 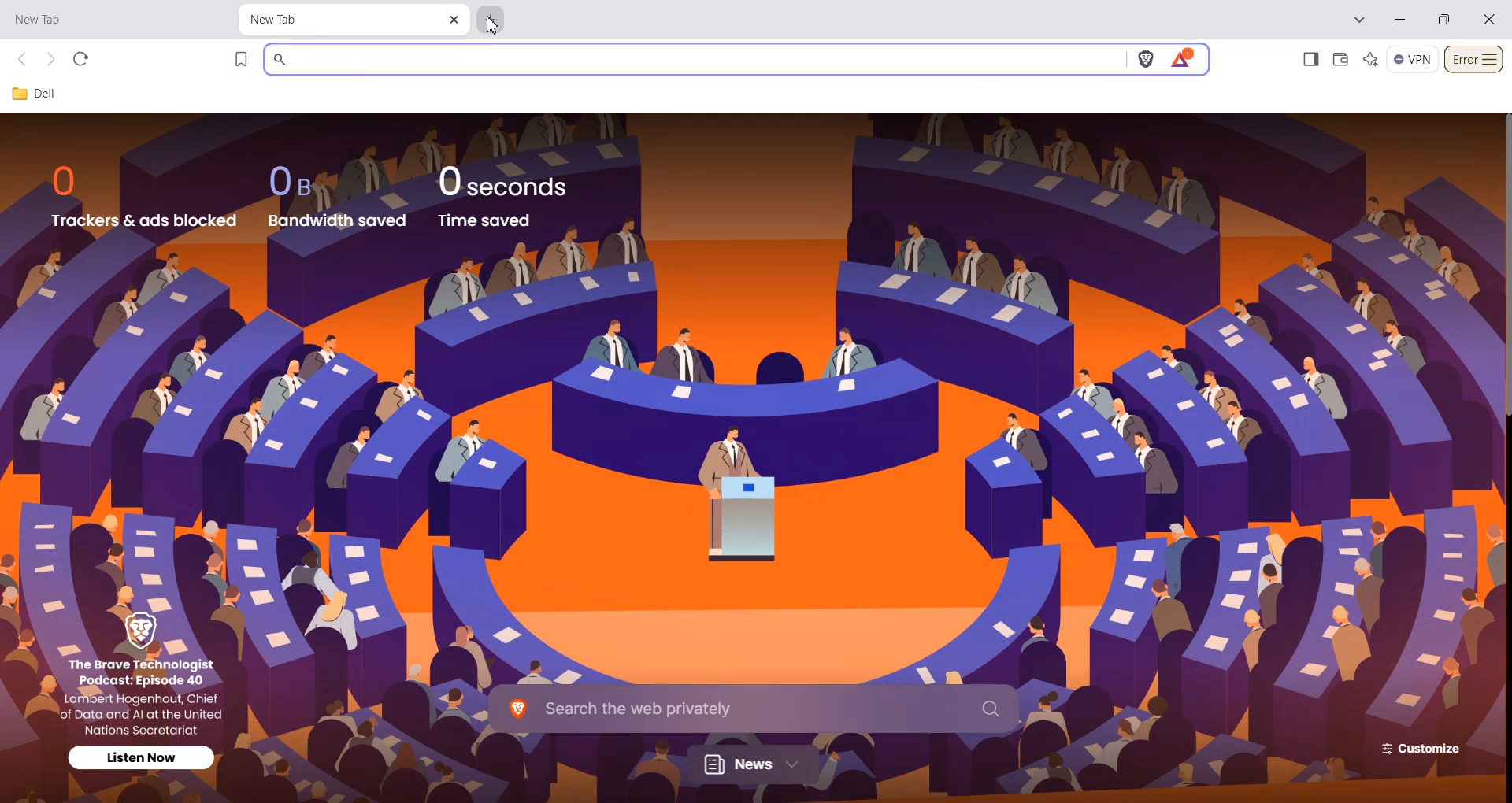 What do you see at coordinates (1146, 60) in the screenshot?
I see `Brave shields` at bounding box center [1146, 60].